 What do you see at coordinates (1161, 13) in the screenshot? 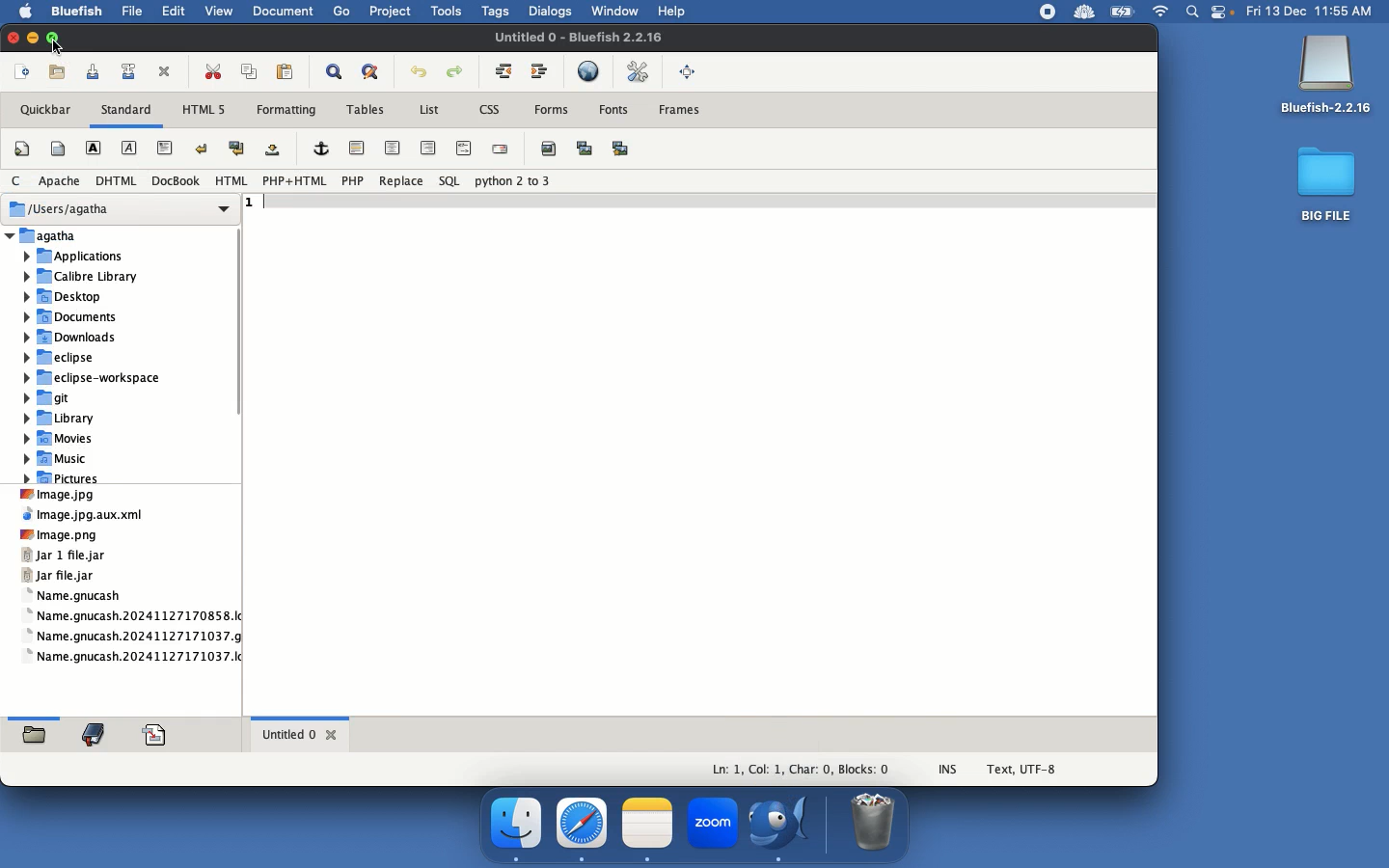
I see `Internet` at bounding box center [1161, 13].